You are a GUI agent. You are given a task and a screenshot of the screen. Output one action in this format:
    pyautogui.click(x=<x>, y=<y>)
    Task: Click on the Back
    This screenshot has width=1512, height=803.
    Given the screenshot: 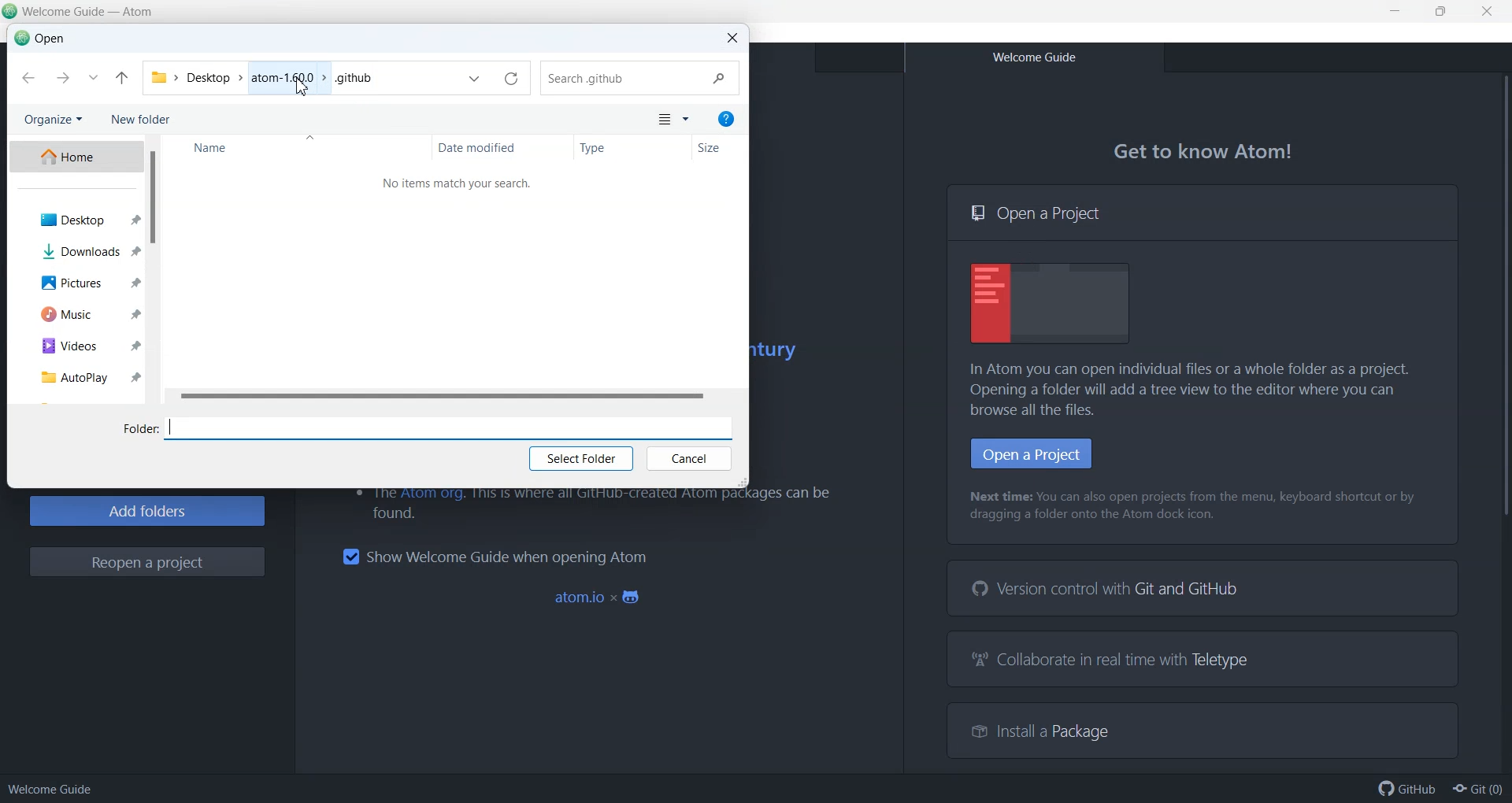 What is the action you would take?
    pyautogui.click(x=28, y=79)
    